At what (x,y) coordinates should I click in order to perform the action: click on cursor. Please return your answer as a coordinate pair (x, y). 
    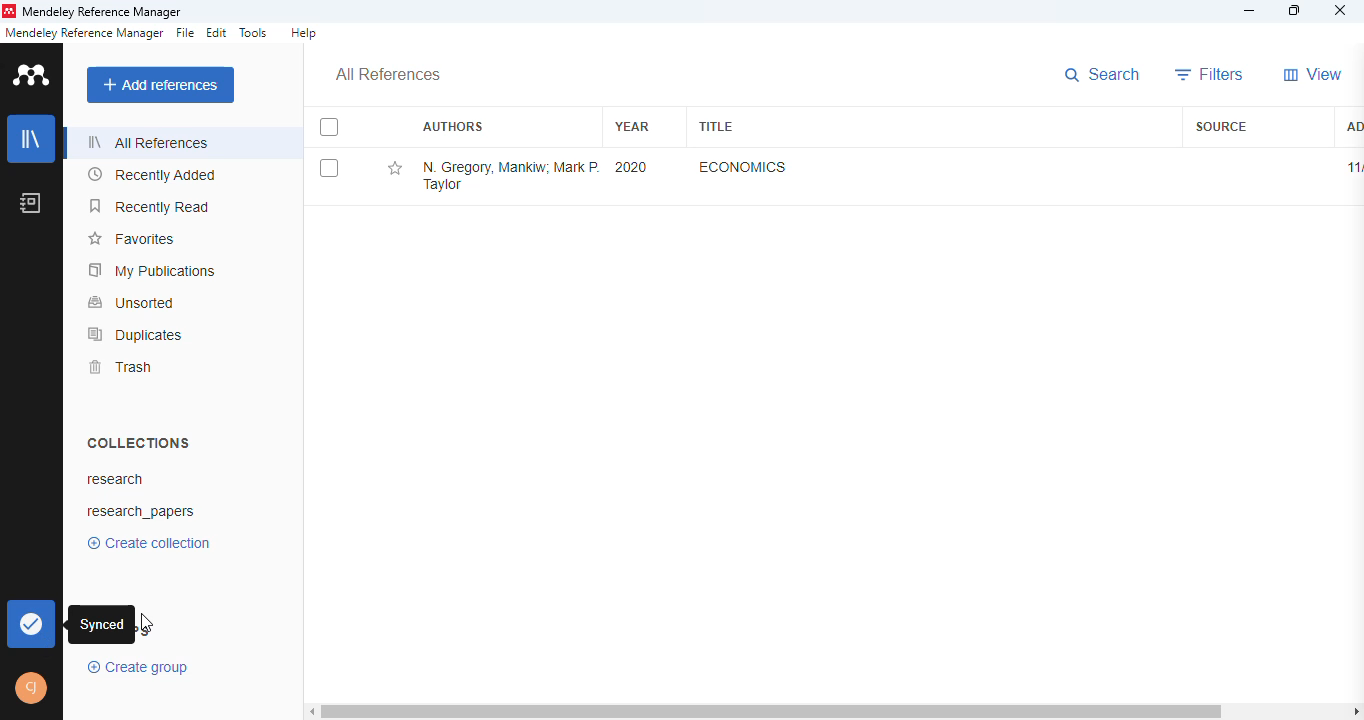
    Looking at the image, I should click on (147, 624).